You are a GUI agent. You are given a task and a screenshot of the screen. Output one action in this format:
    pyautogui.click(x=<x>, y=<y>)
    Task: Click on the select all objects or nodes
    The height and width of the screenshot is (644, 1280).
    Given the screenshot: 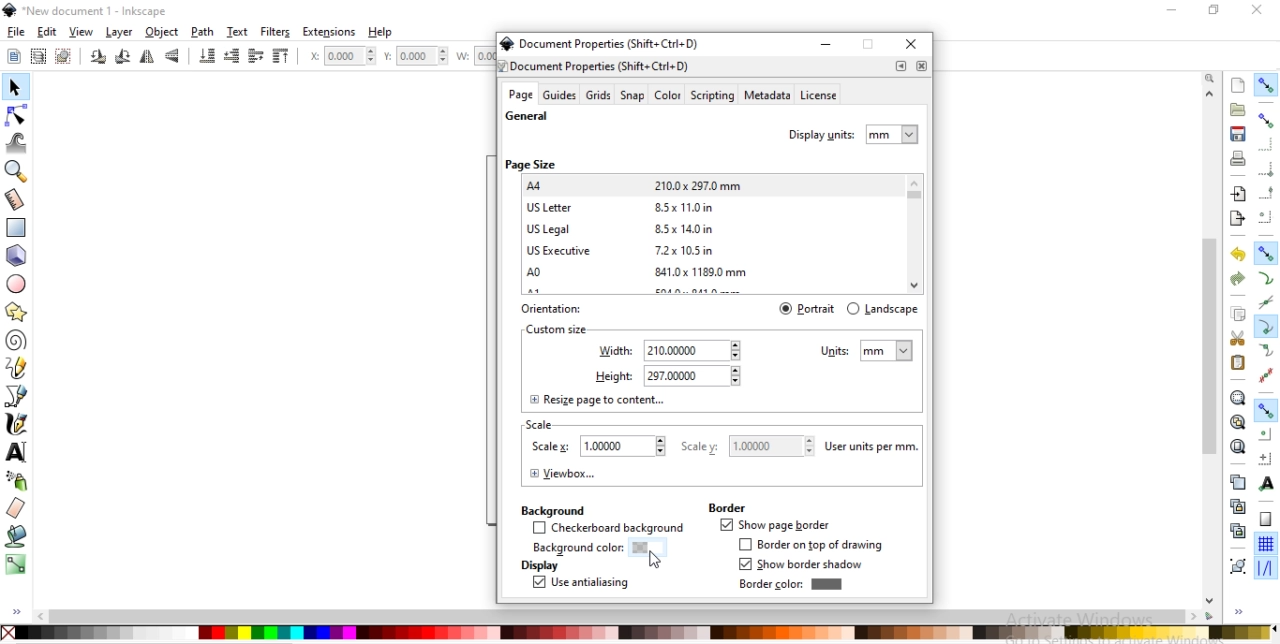 What is the action you would take?
    pyautogui.click(x=13, y=54)
    